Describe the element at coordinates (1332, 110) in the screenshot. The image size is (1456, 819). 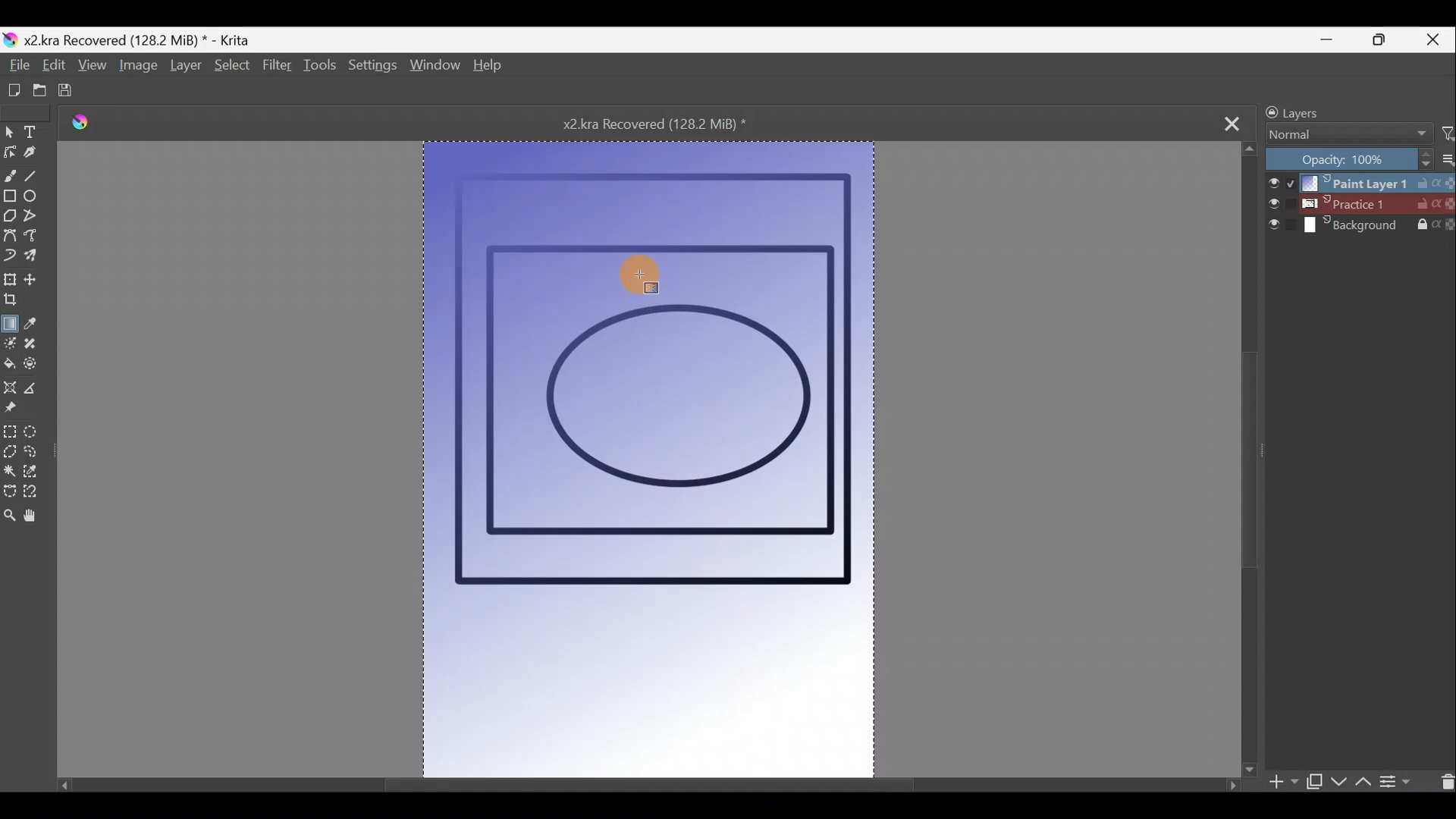
I see `Layers` at that location.